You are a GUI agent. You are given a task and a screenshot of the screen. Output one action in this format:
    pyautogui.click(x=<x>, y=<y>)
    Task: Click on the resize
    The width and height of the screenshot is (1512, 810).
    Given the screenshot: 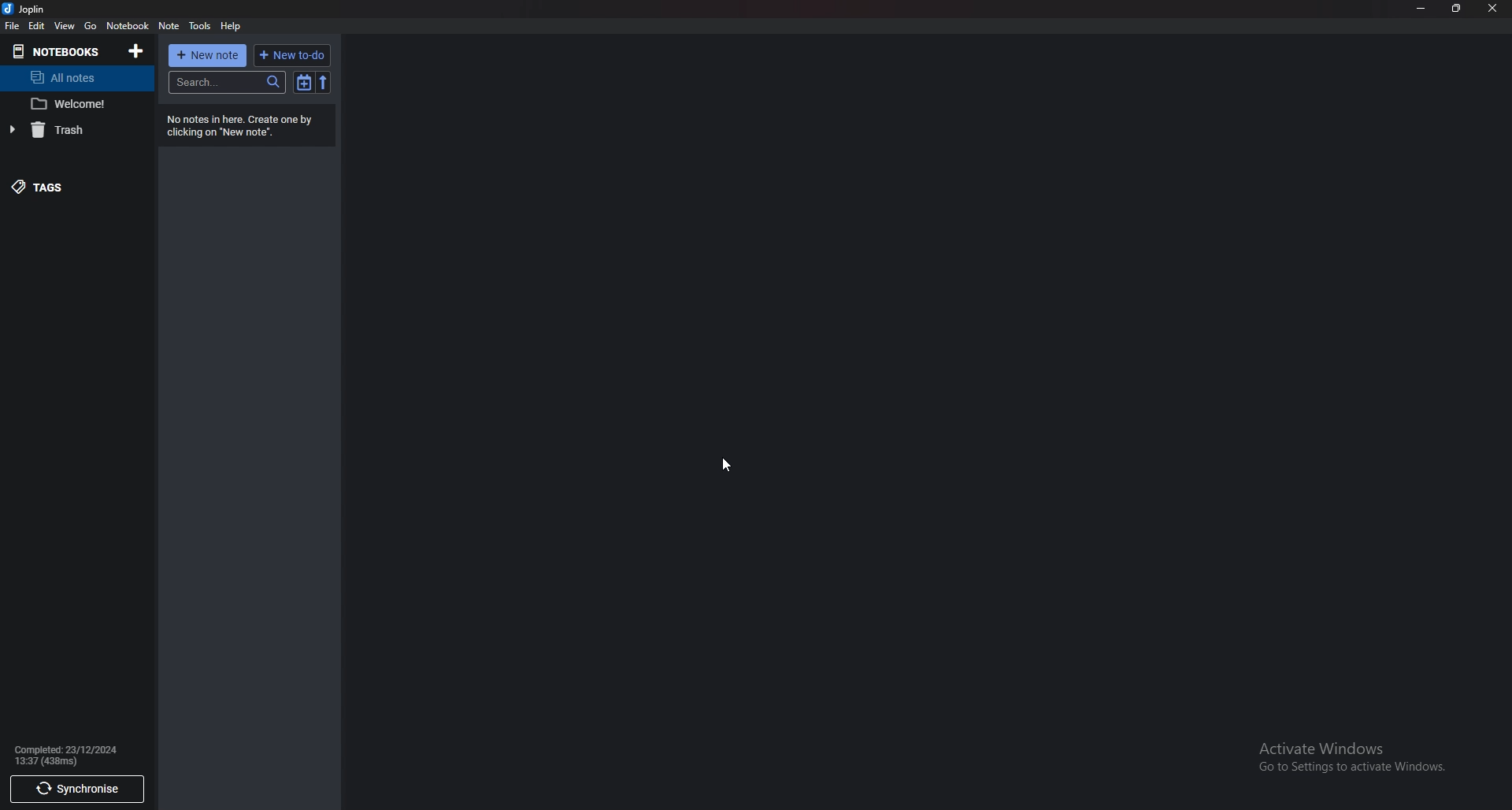 What is the action you would take?
    pyautogui.click(x=1457, y=9)
    